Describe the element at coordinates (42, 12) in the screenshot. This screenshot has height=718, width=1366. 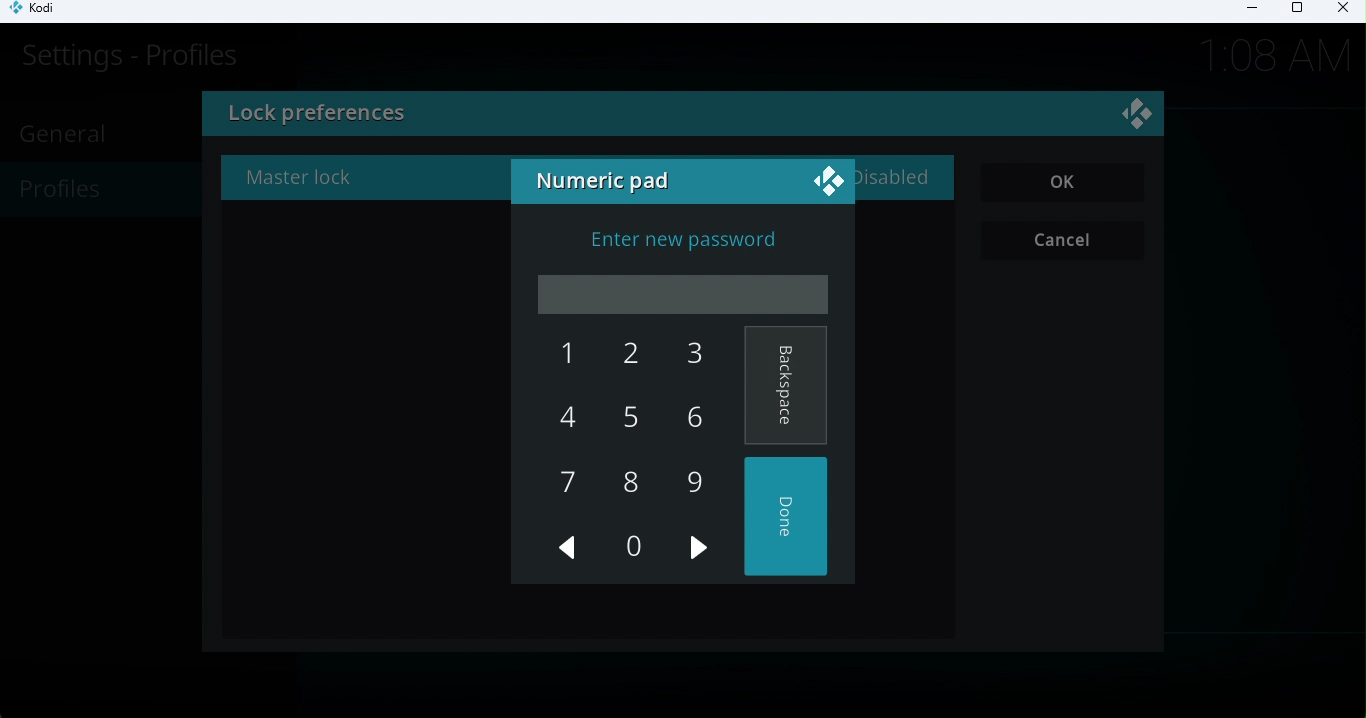
I see `Kodi icon` at that location.